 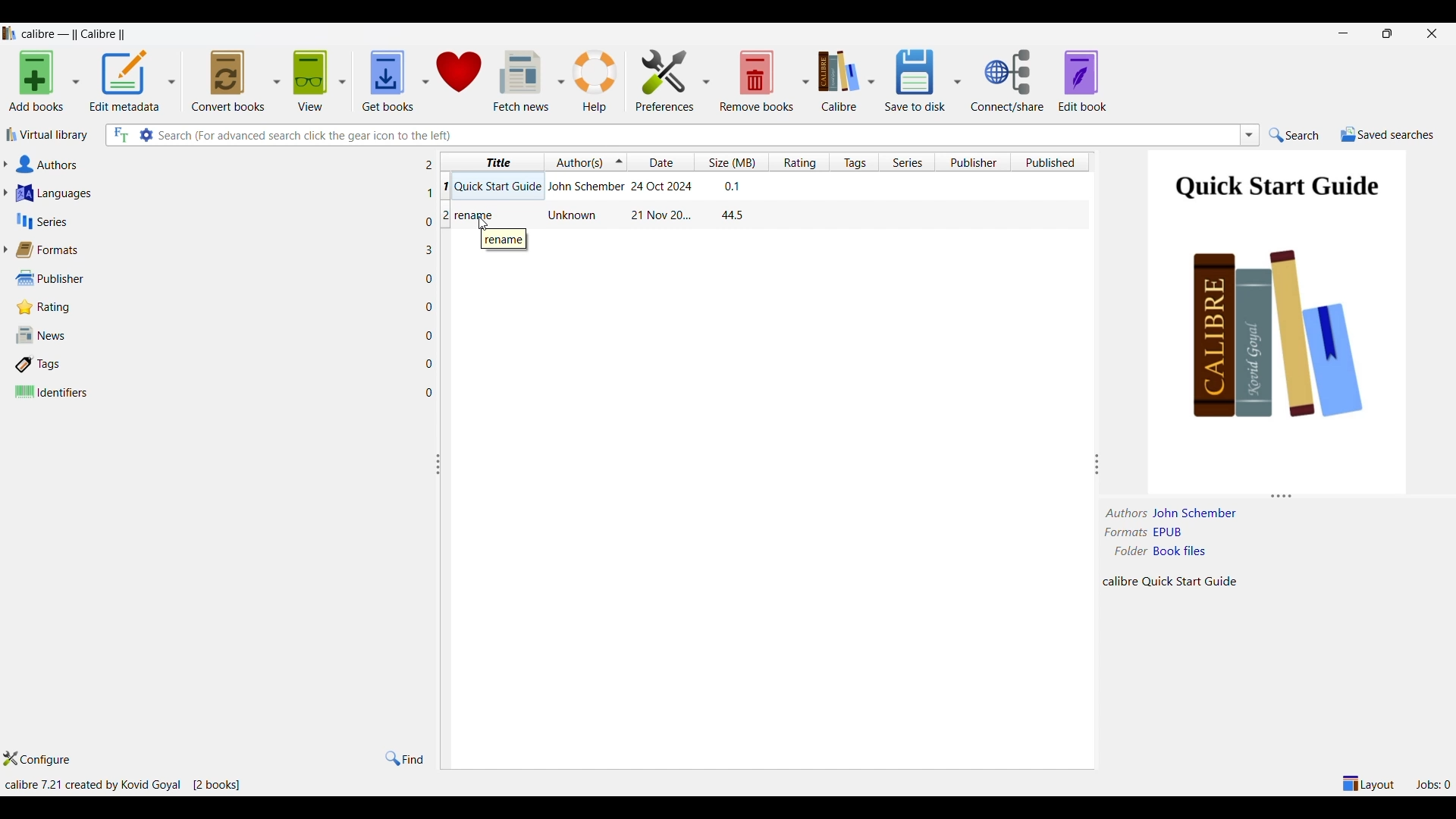 What do you see at coordinates (124, 81) in the screenshot?
I see `Edit metadata` at bounding box center [124, 81].